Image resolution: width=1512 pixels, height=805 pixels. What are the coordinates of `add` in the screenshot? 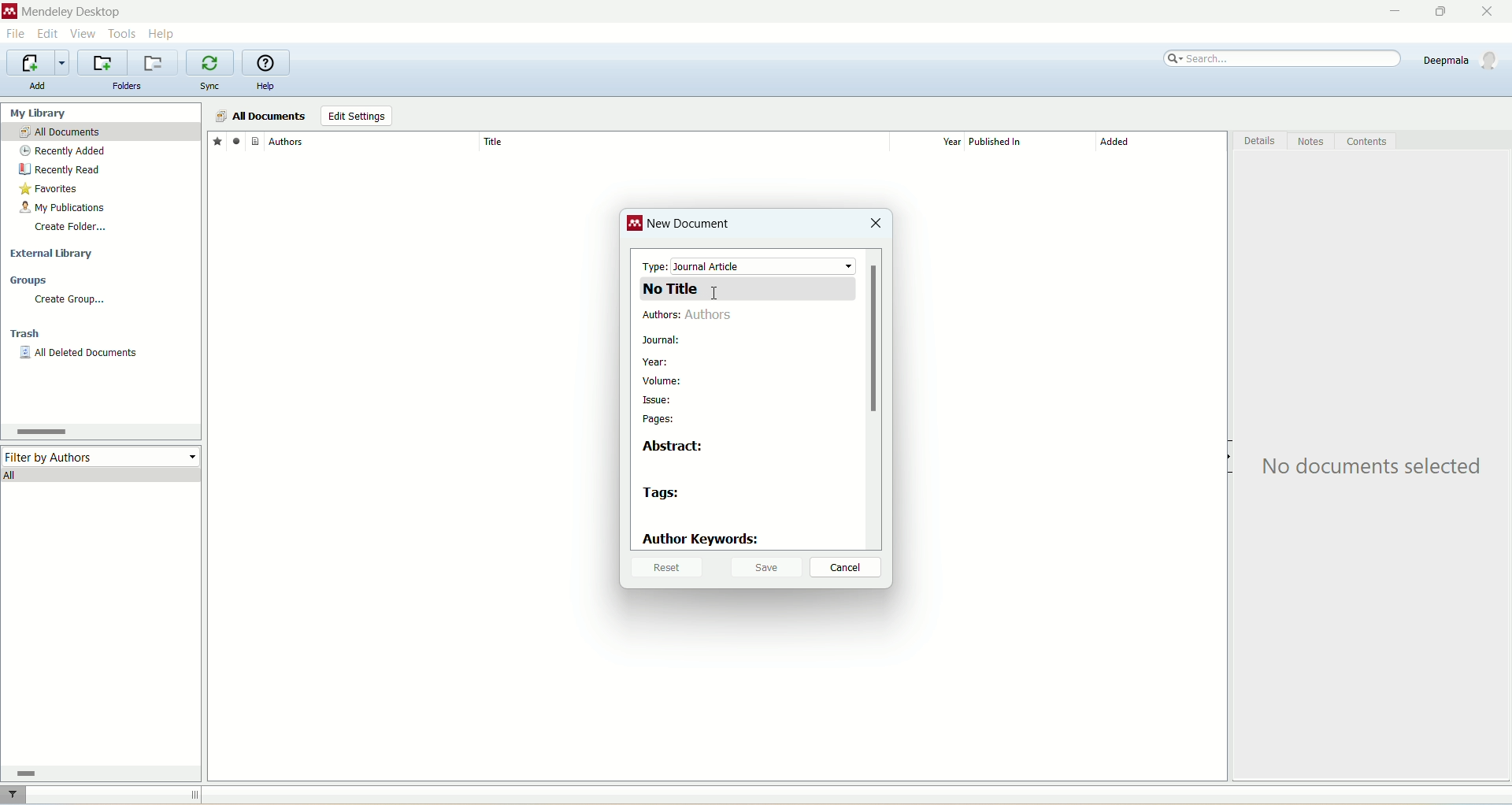 It's located at (37, 86).